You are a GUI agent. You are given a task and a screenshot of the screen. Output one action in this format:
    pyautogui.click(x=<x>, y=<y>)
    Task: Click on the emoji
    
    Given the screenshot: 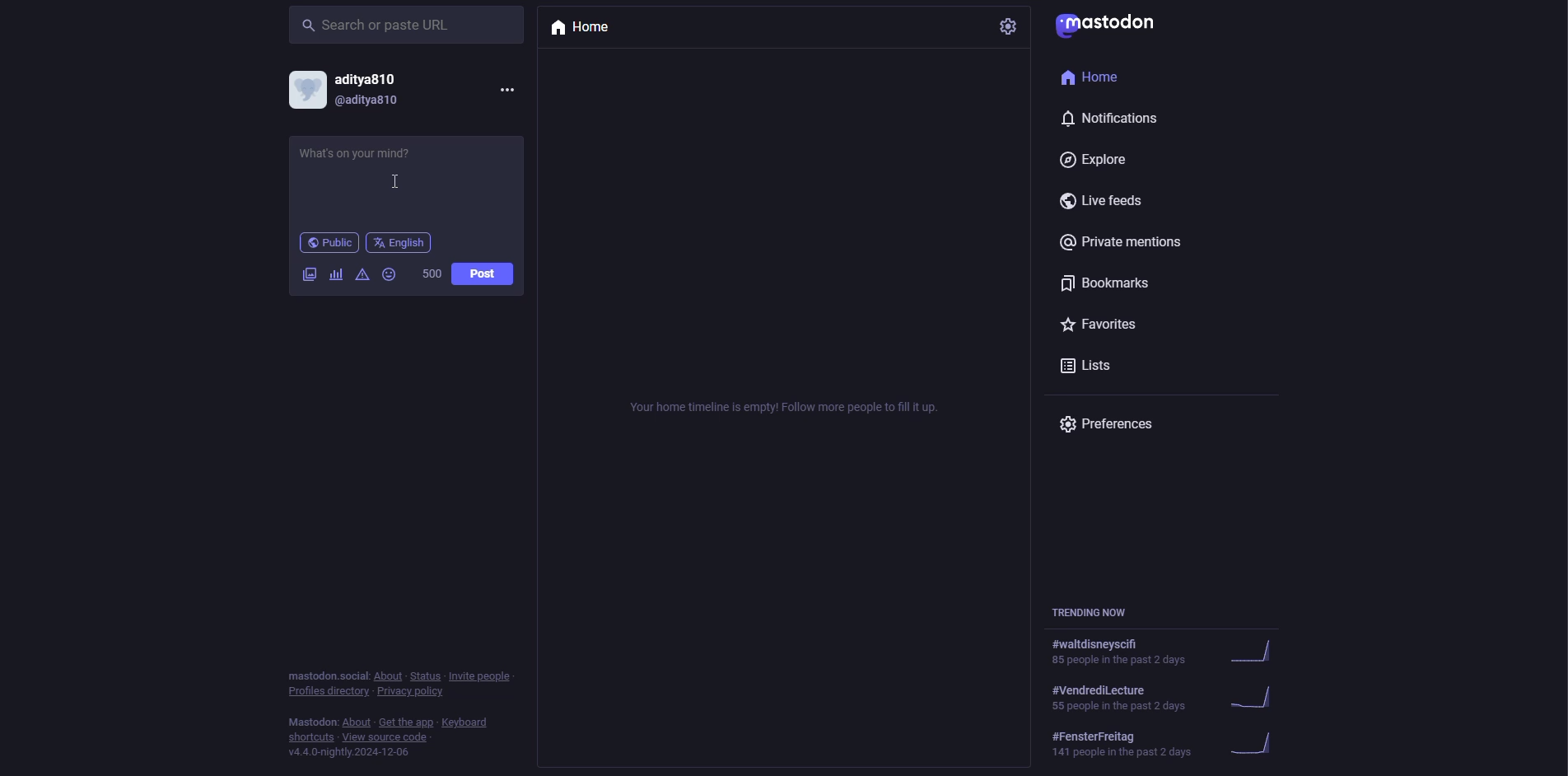 What is the action you would take?
    pyautogui.click(x=390, y=273)
    